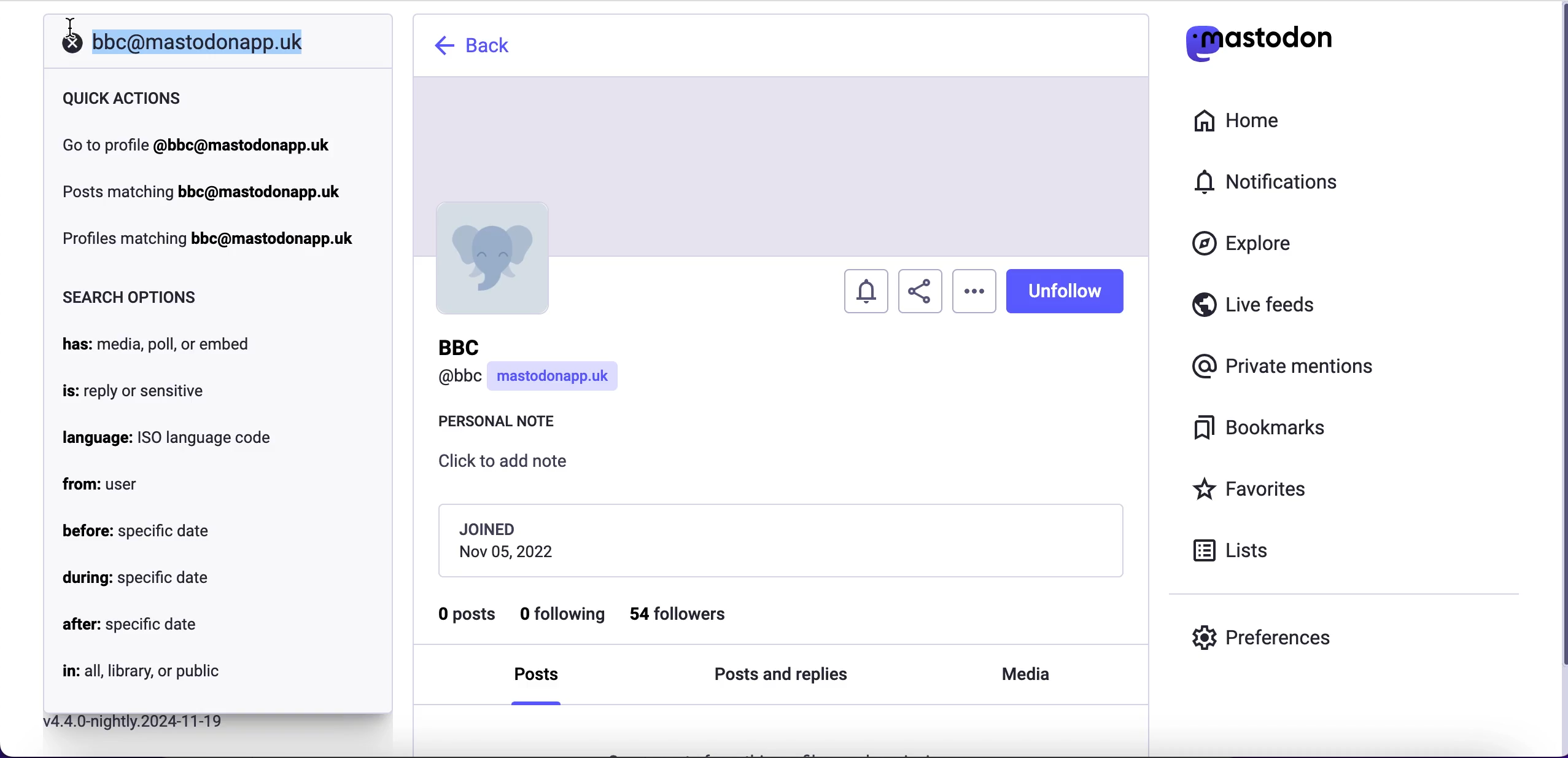 Image resolution: width=1568 pixels, height=758 pixels. I want to click on turn notifications on, so click(867, 287).